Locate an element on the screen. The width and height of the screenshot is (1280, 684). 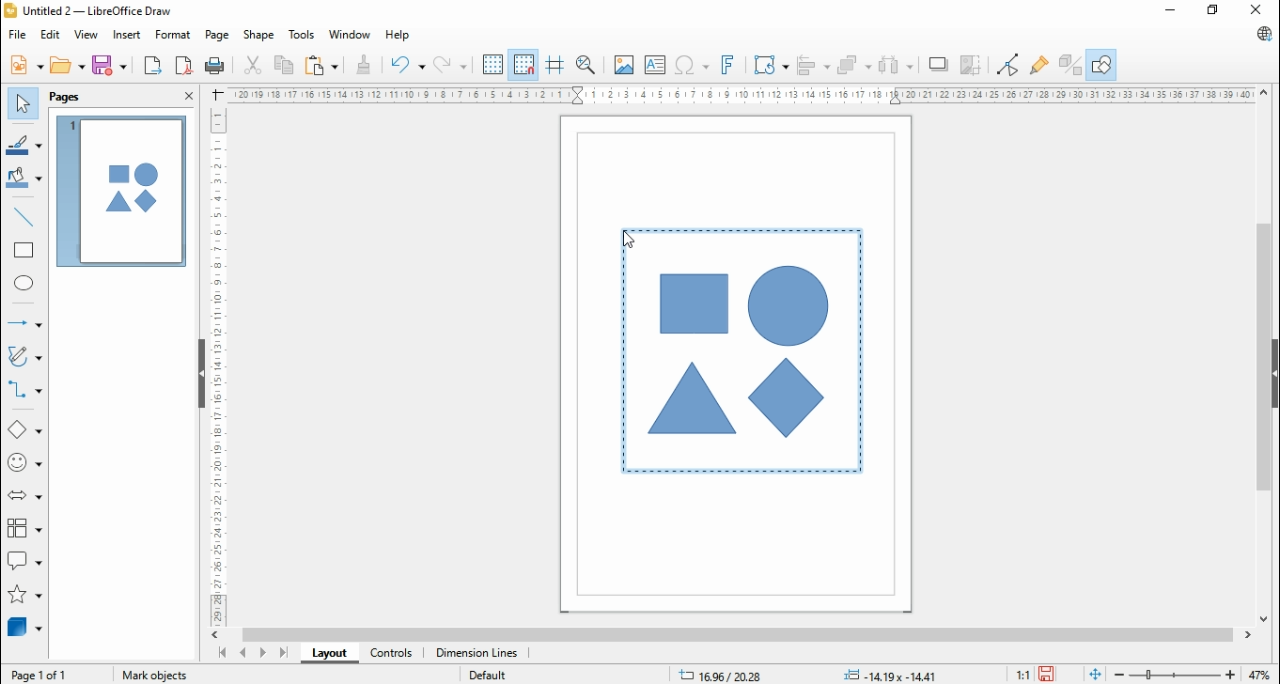
insert is located at coordinates (126, 35).